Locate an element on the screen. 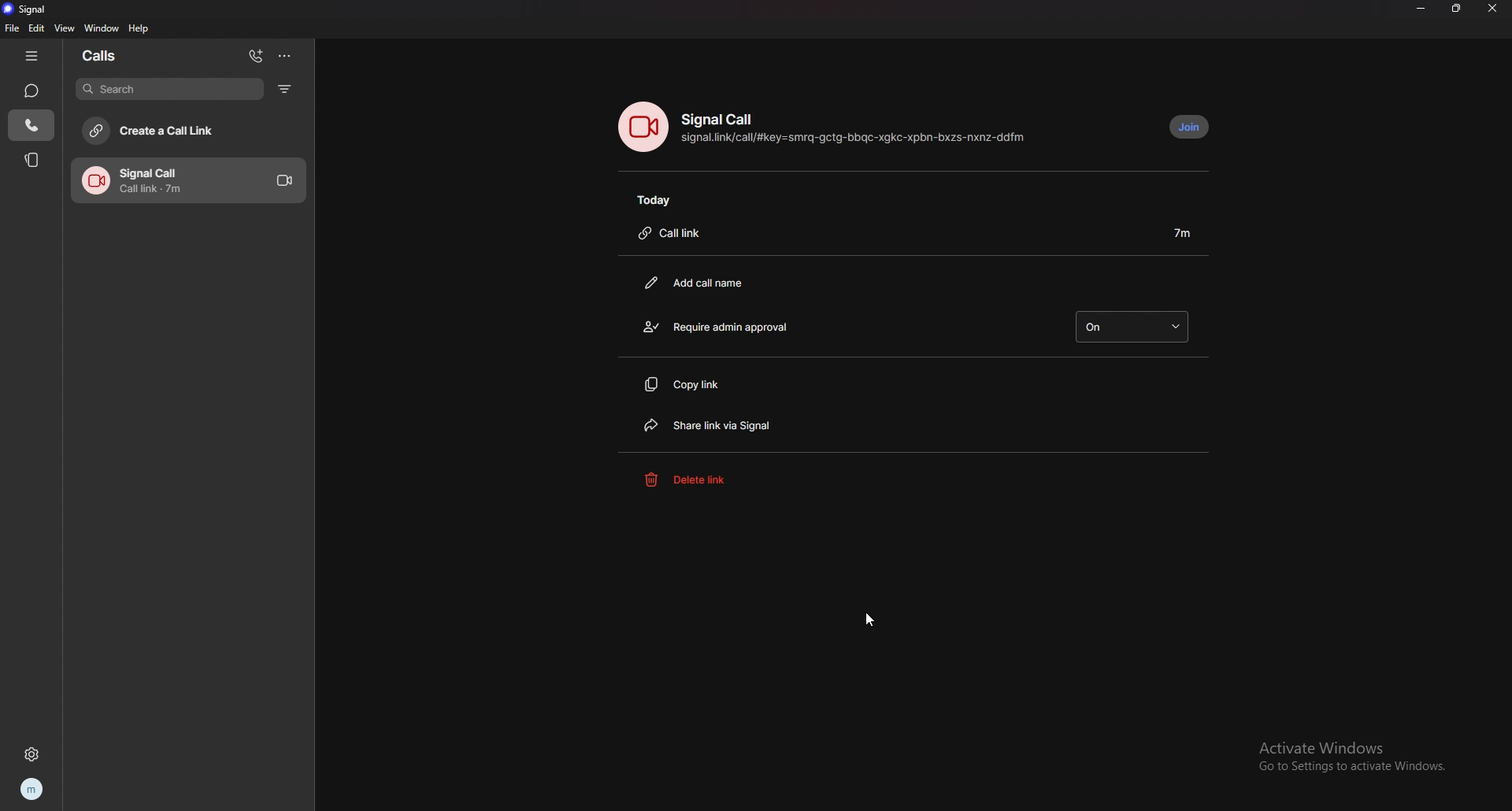  window is located at coordinates (102, 28).